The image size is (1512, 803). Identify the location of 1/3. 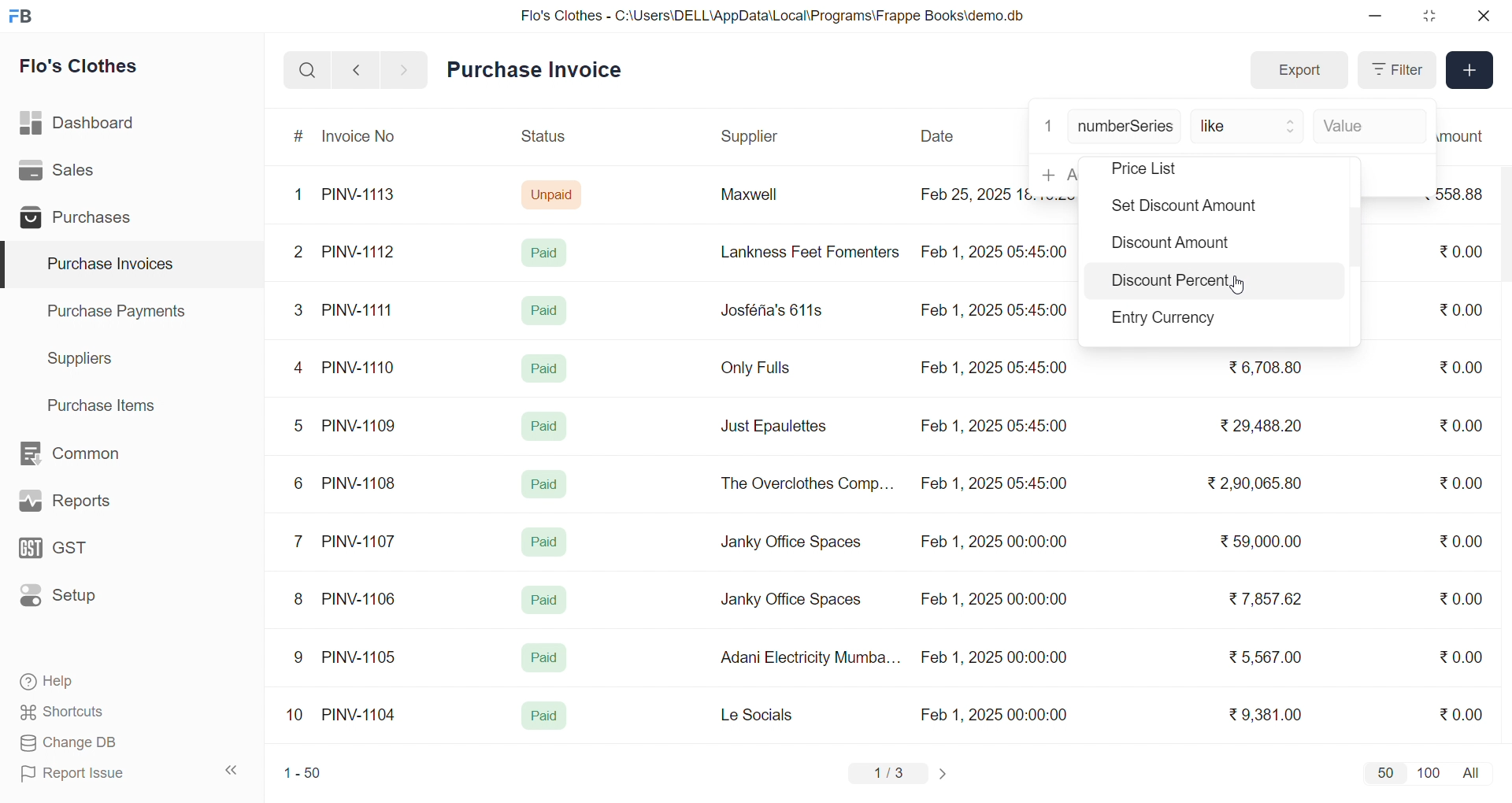
(889, 775).